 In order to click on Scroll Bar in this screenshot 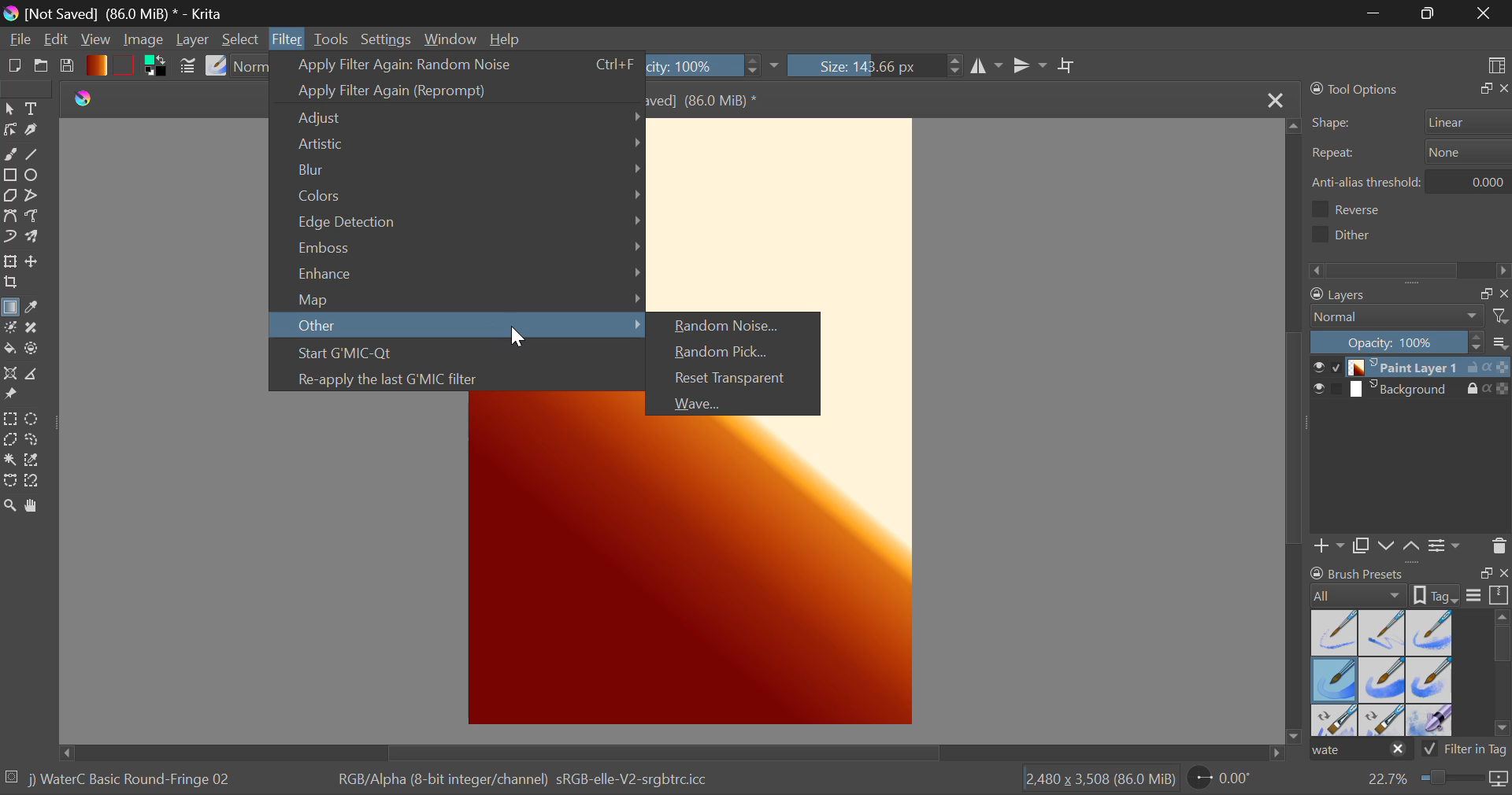, I will do `click(1296, 423)`.